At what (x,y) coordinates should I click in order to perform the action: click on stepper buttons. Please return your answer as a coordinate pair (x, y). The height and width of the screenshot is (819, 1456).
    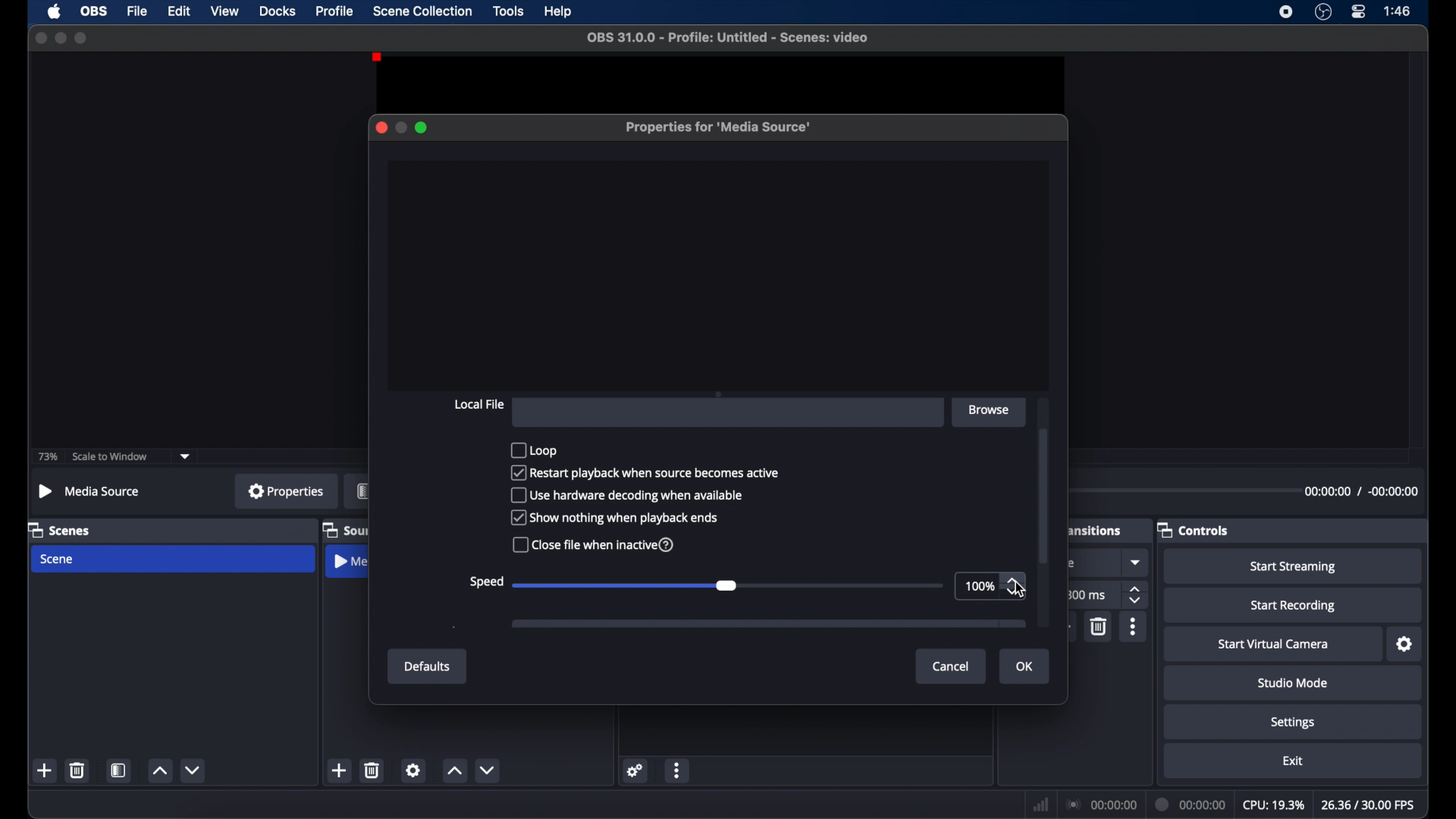
    Looking at the image, I should click on (1013, 588).